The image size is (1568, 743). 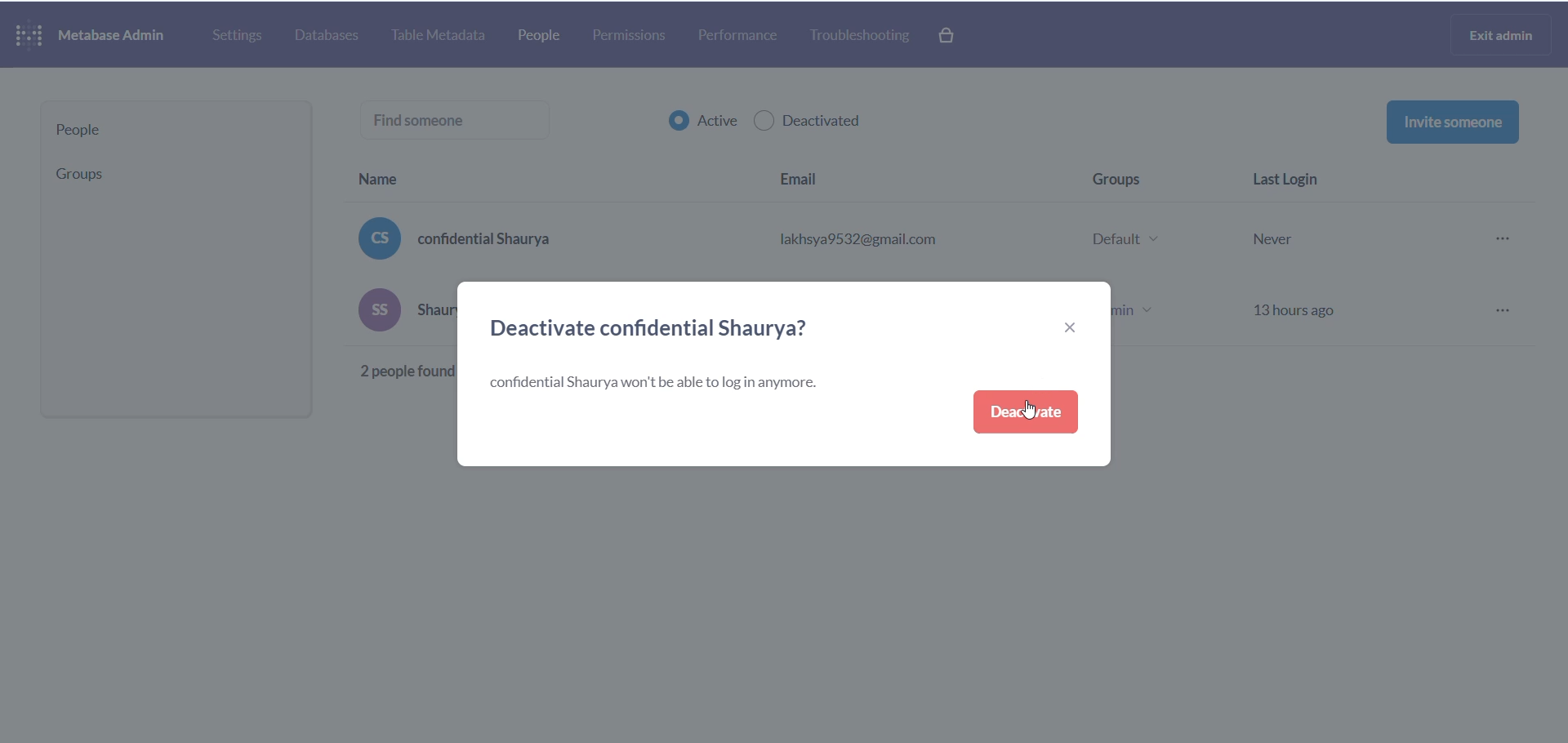 What do you see at coordinates (156, 179) in the screenshot?
I see `group` at bounding box center [156, 179].